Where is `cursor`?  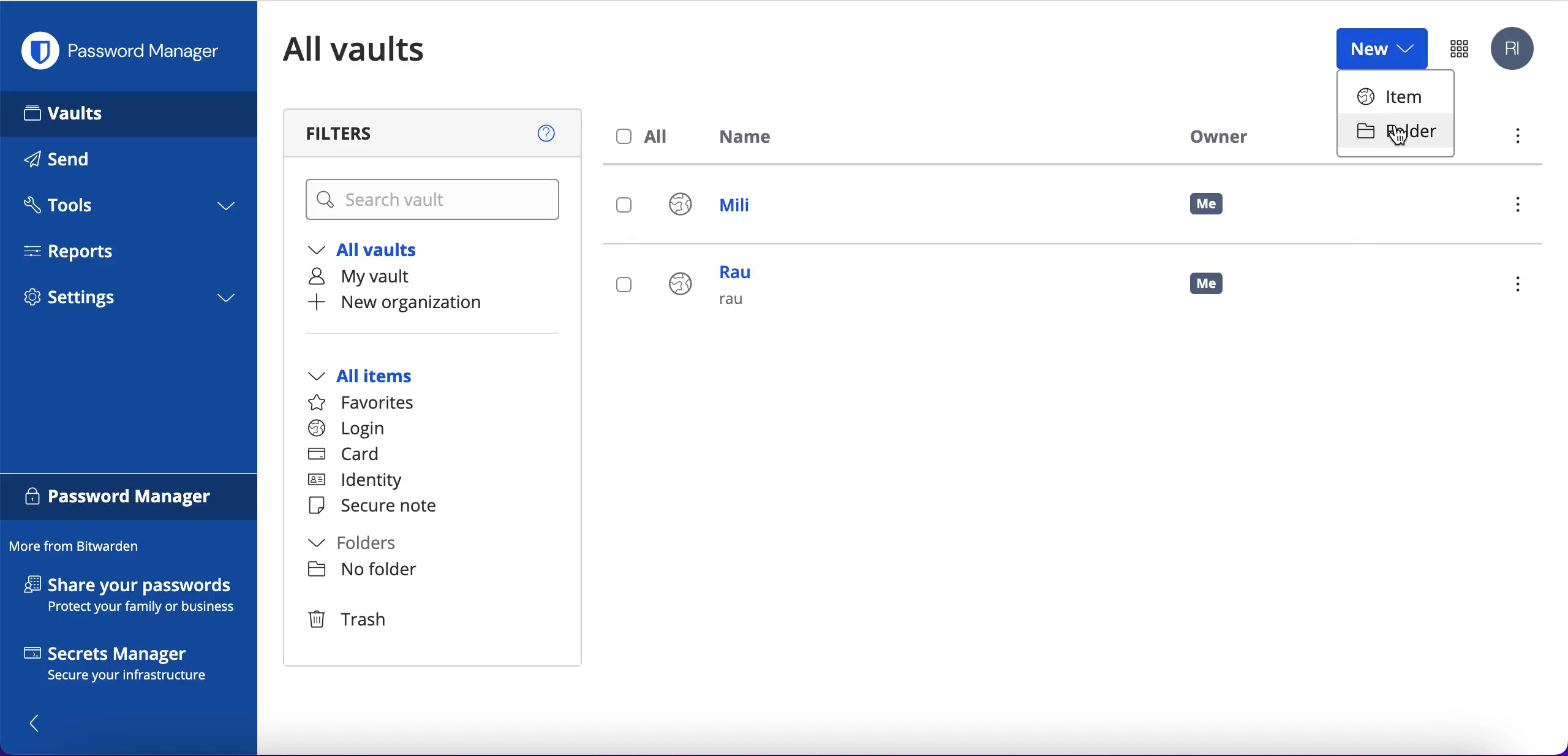
cursor is located at coordinates (1403, 138).